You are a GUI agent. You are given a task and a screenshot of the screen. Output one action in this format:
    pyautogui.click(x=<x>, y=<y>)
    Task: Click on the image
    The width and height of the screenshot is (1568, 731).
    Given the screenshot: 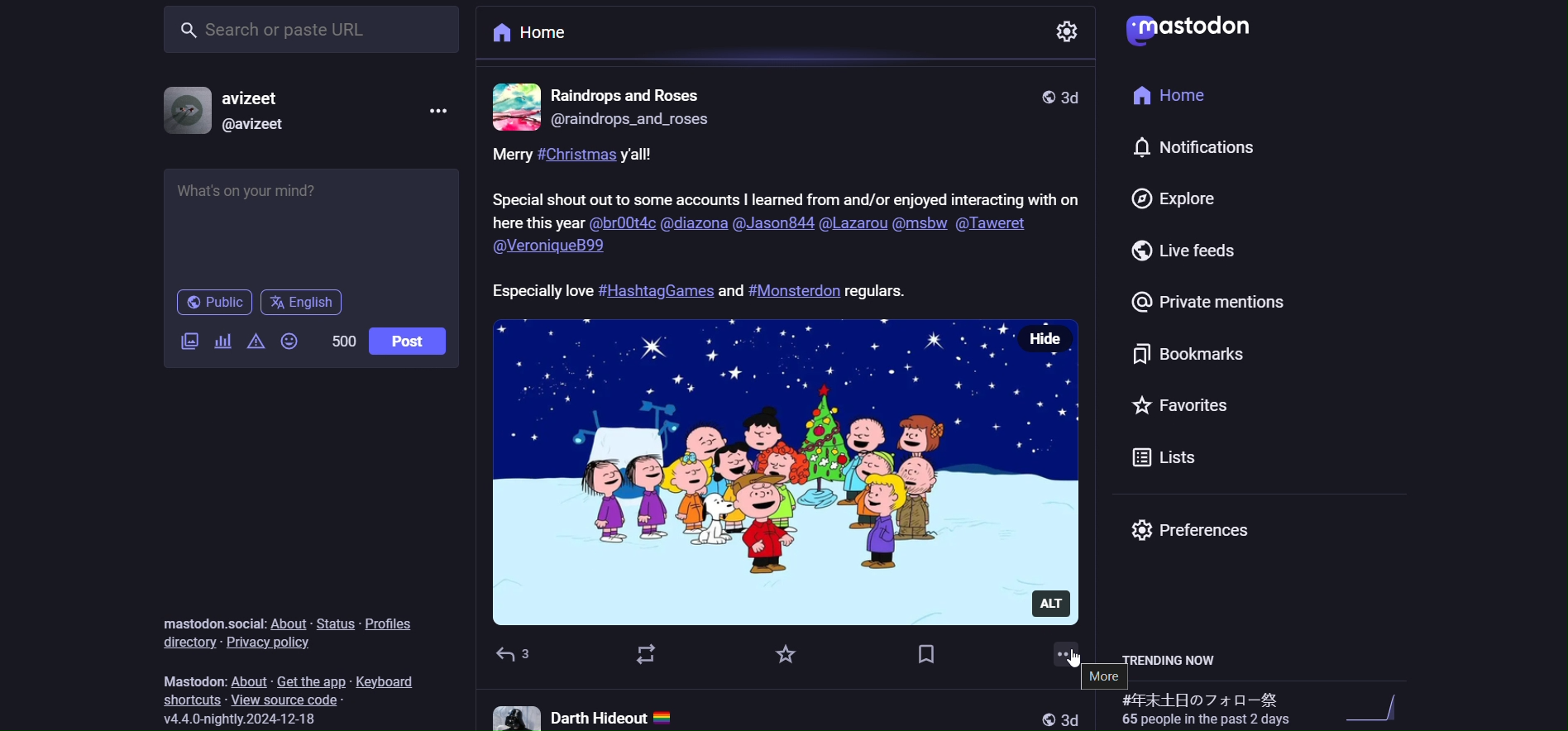 What is the action you would take?
    pyautogui.click(x=745, y=471)
    